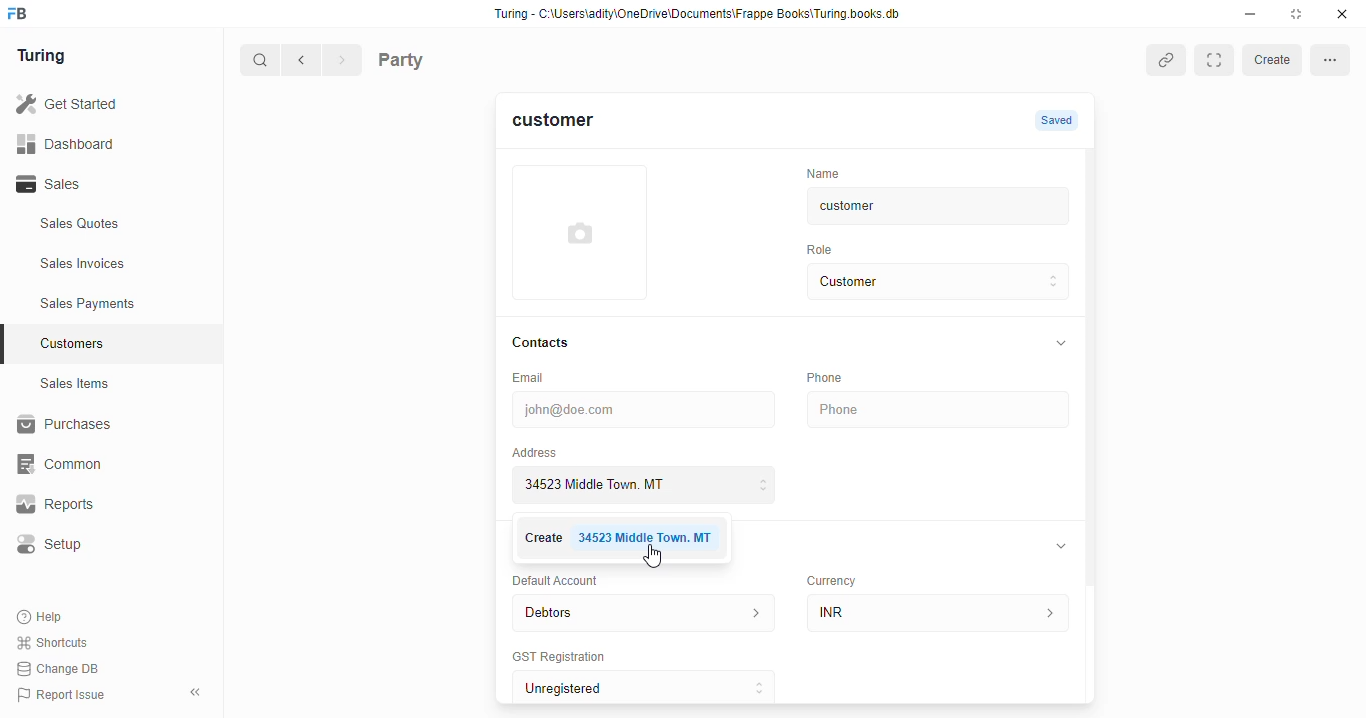 The height and width of the screenshot is (718, 1366). I want to click on Sales, so click(98, 184).